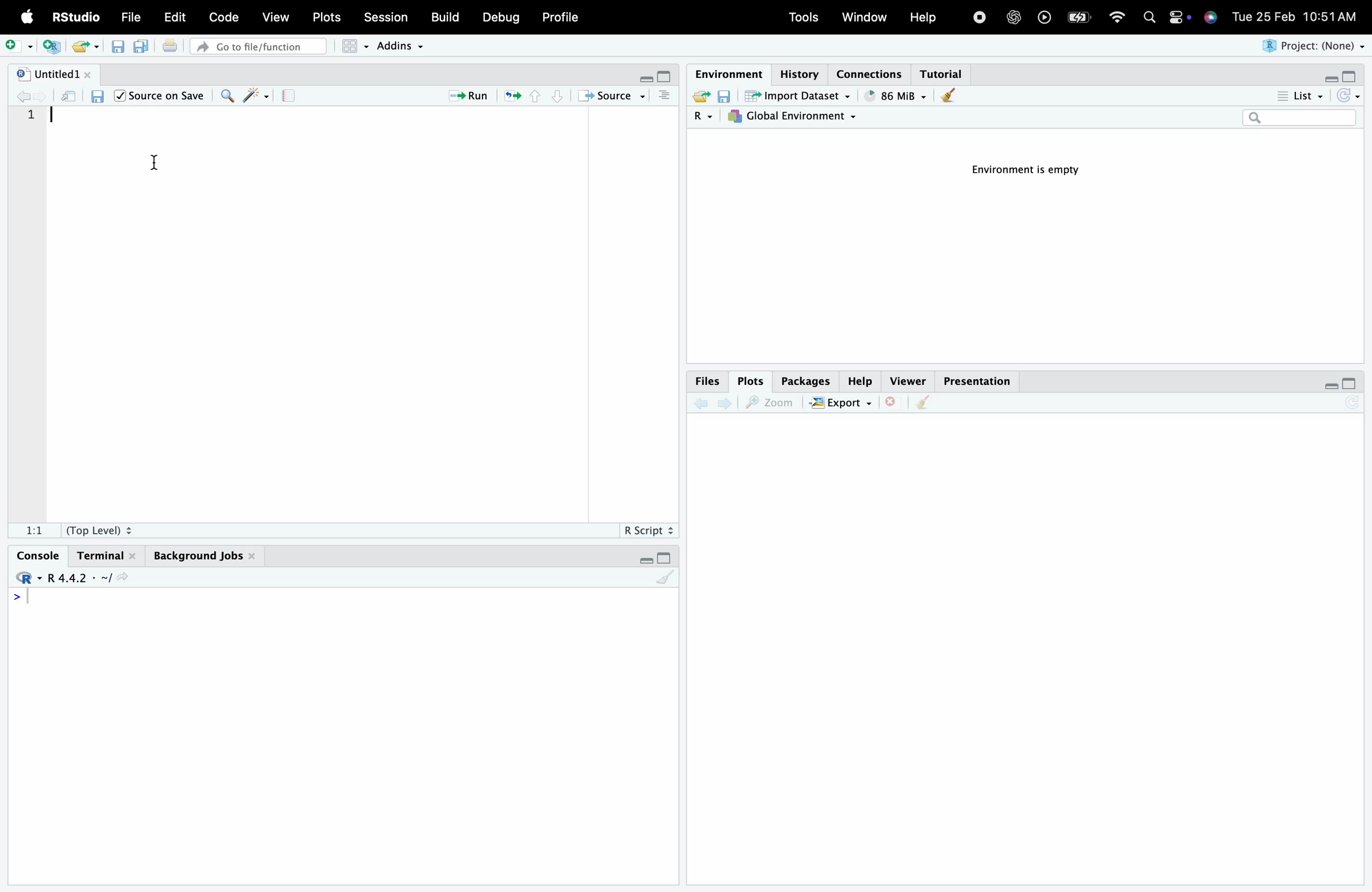 The height and width of the screenshot is (892, 1372). What do you see at coordinates (863, 17) in the screenshot?
I see `Window` at bounding box center [863, 17].